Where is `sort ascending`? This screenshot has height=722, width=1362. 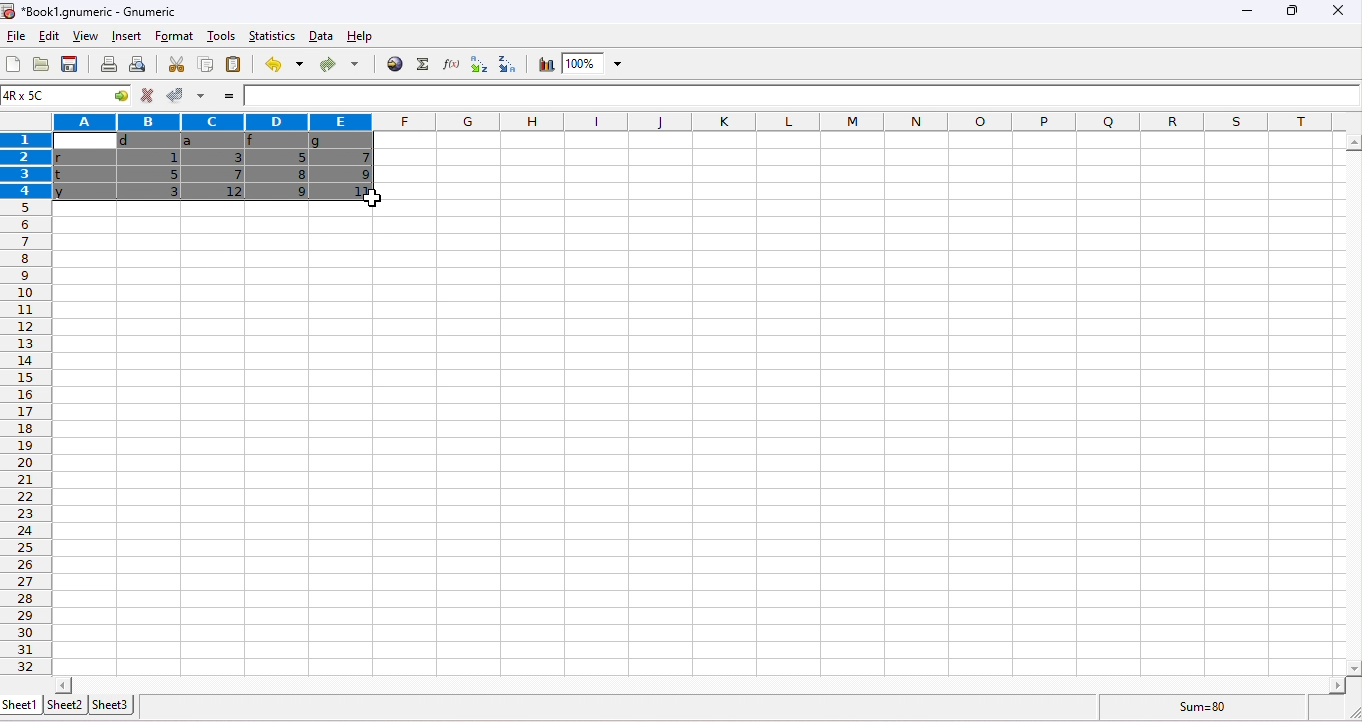 sort ascending is located at coordinates (477, 64).